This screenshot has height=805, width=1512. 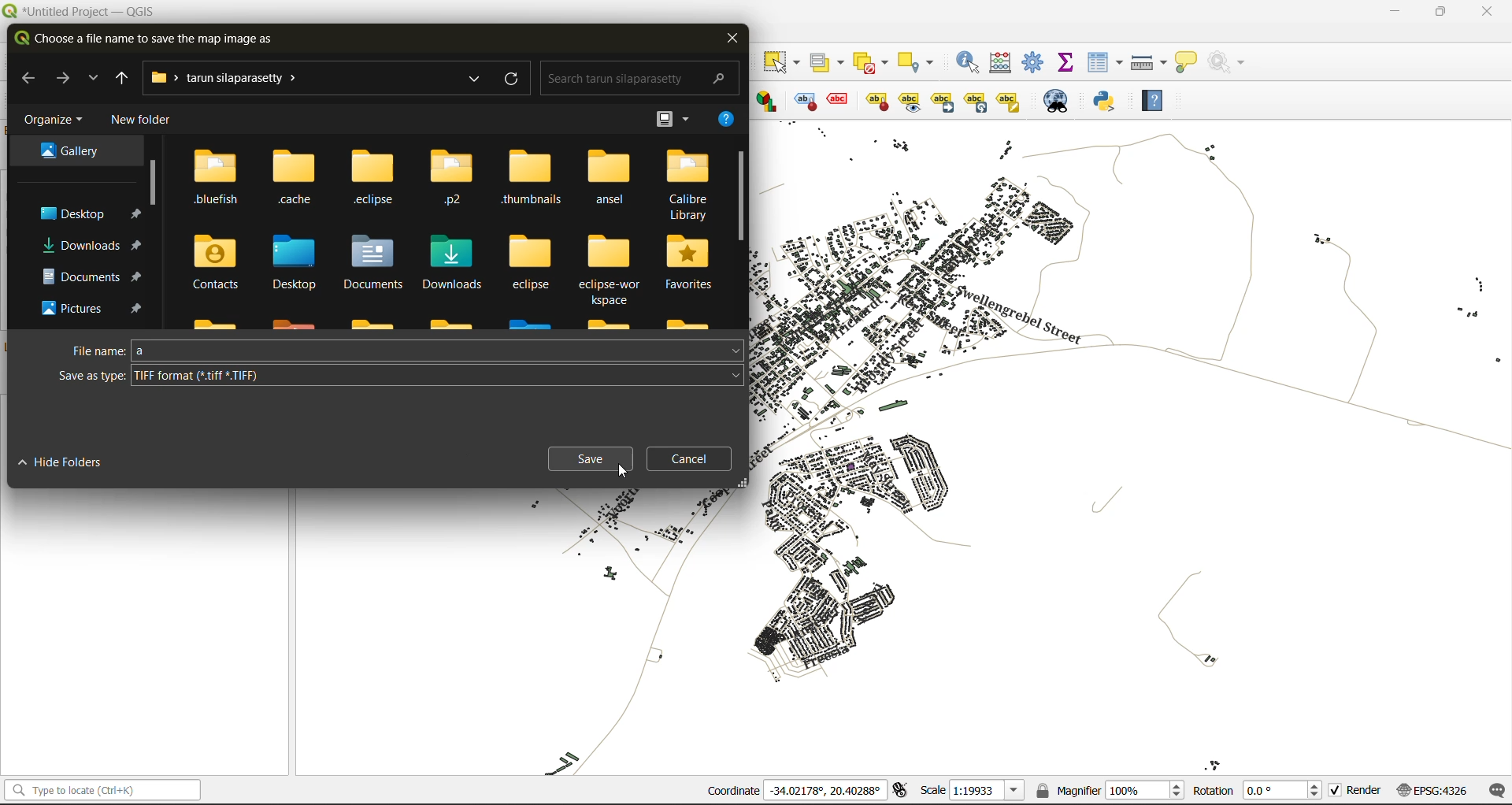 I want to click on vertical scroll bar, so click(x=150, y=180).